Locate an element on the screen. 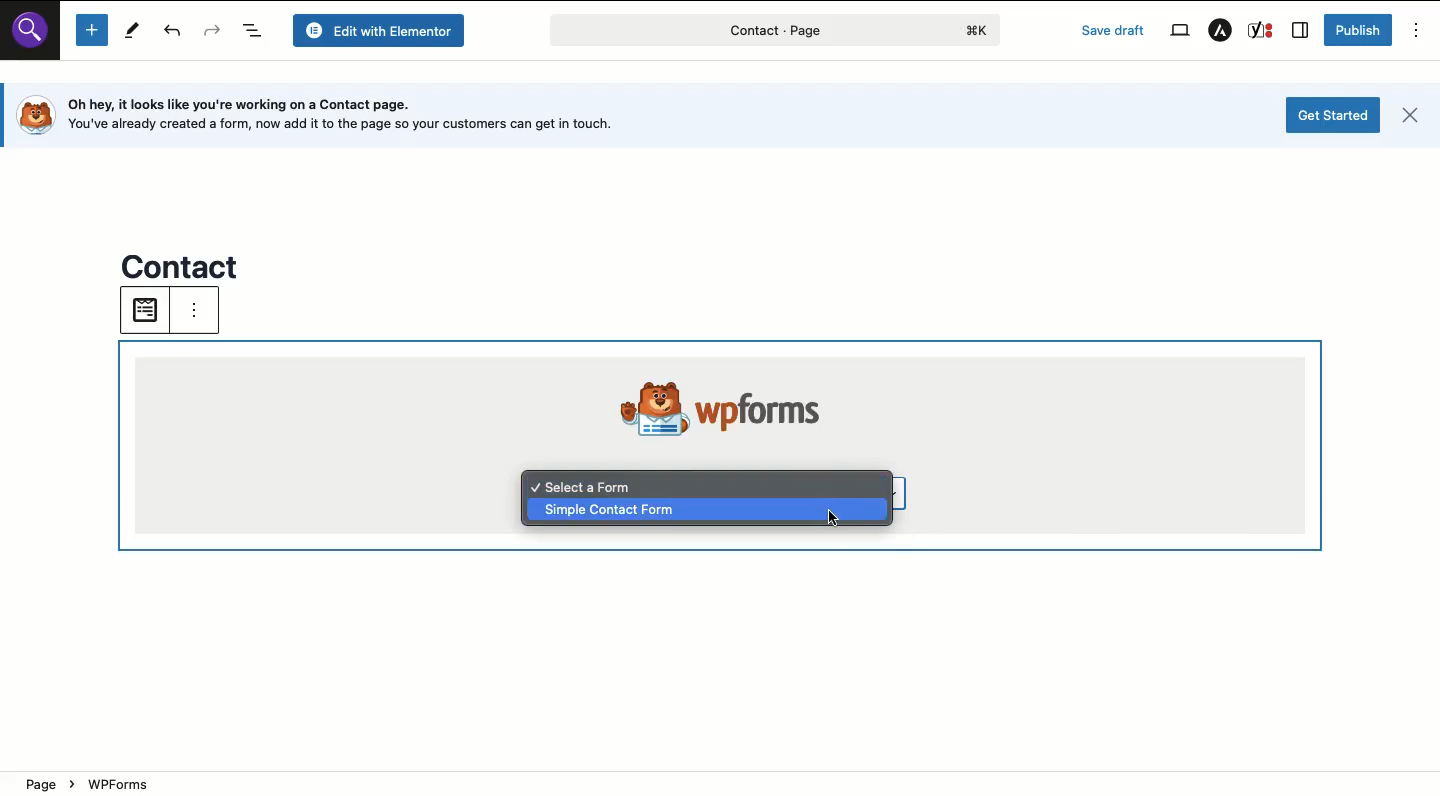  Sidebar is located at coordinates (1301, 31).